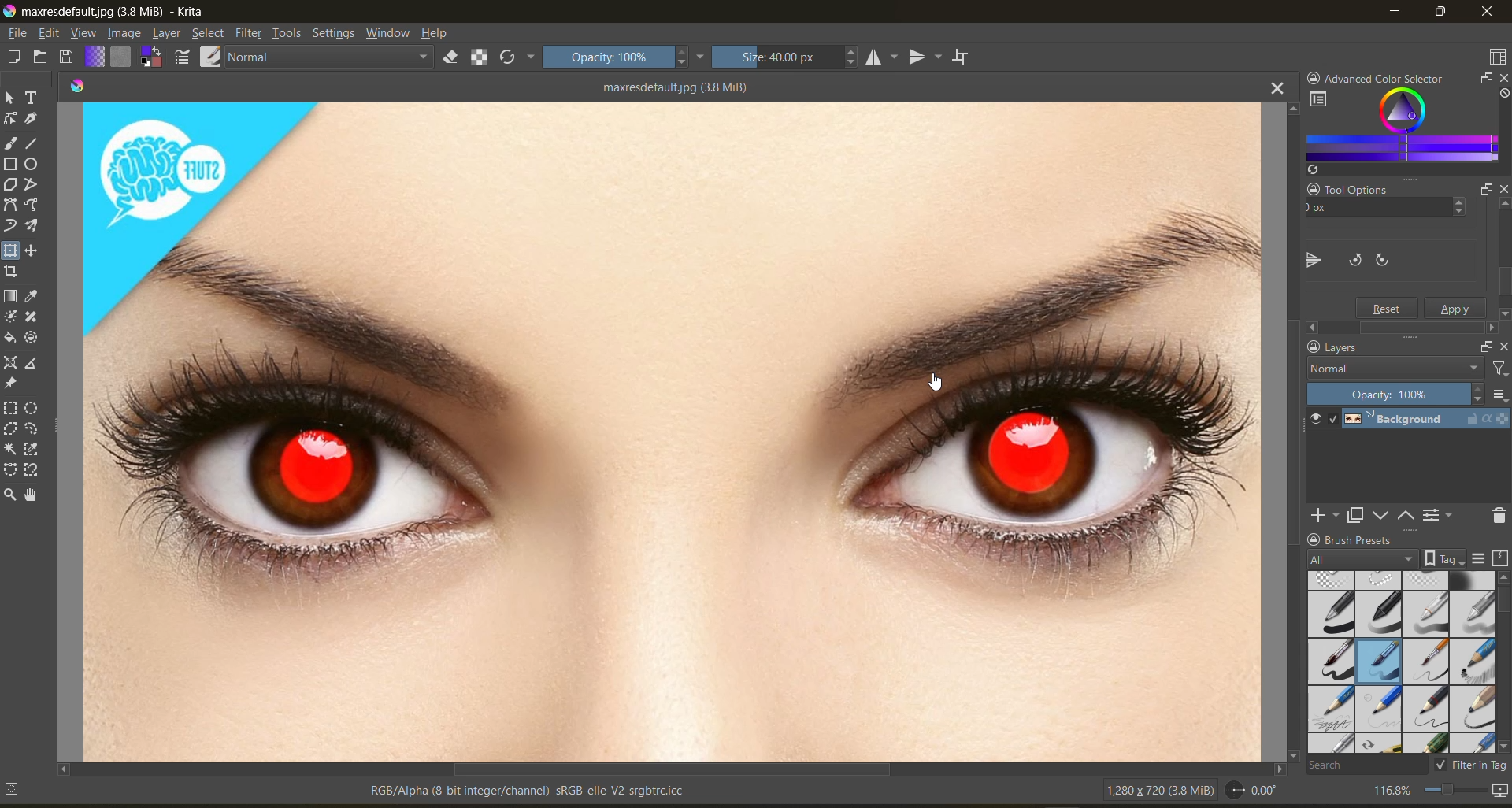  What do you see at coordinates (9, 428) in the screenshot?
I see `tool` at bounding box center [9, 428].